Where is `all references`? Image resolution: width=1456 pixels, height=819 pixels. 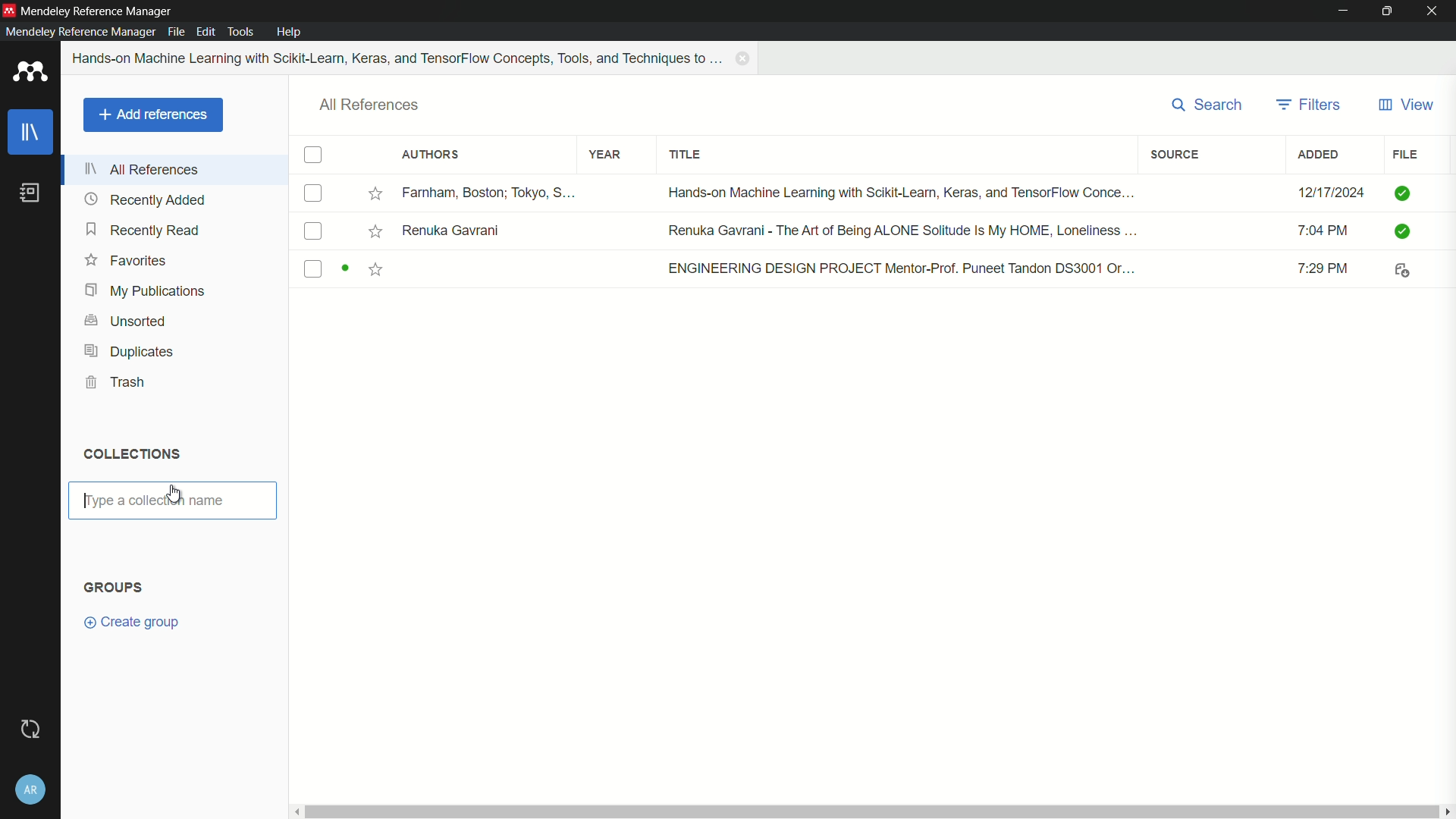
all references is located at coordinates (142, 169).